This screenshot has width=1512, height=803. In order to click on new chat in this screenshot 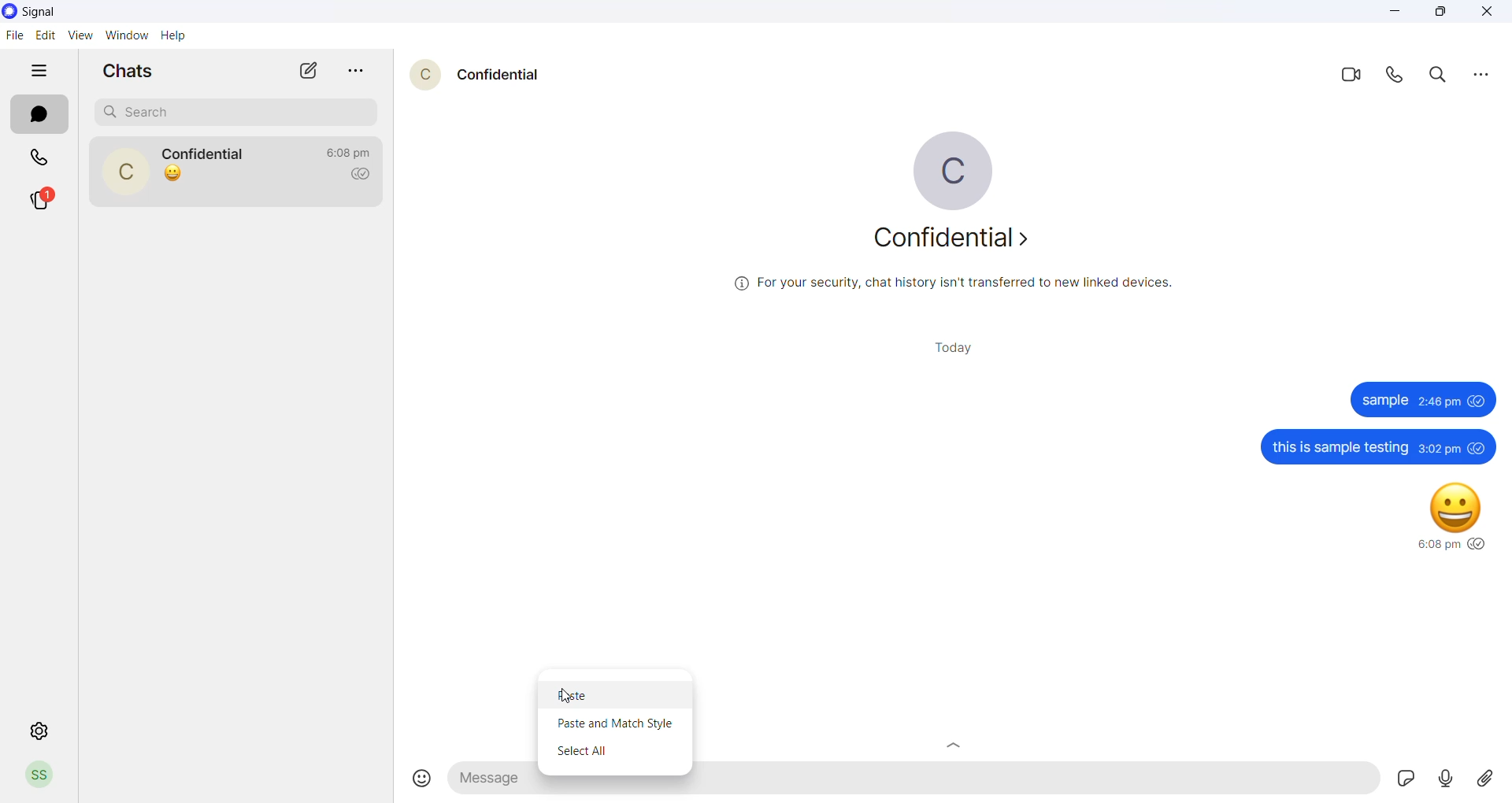, I will do `click(309, 71)`.